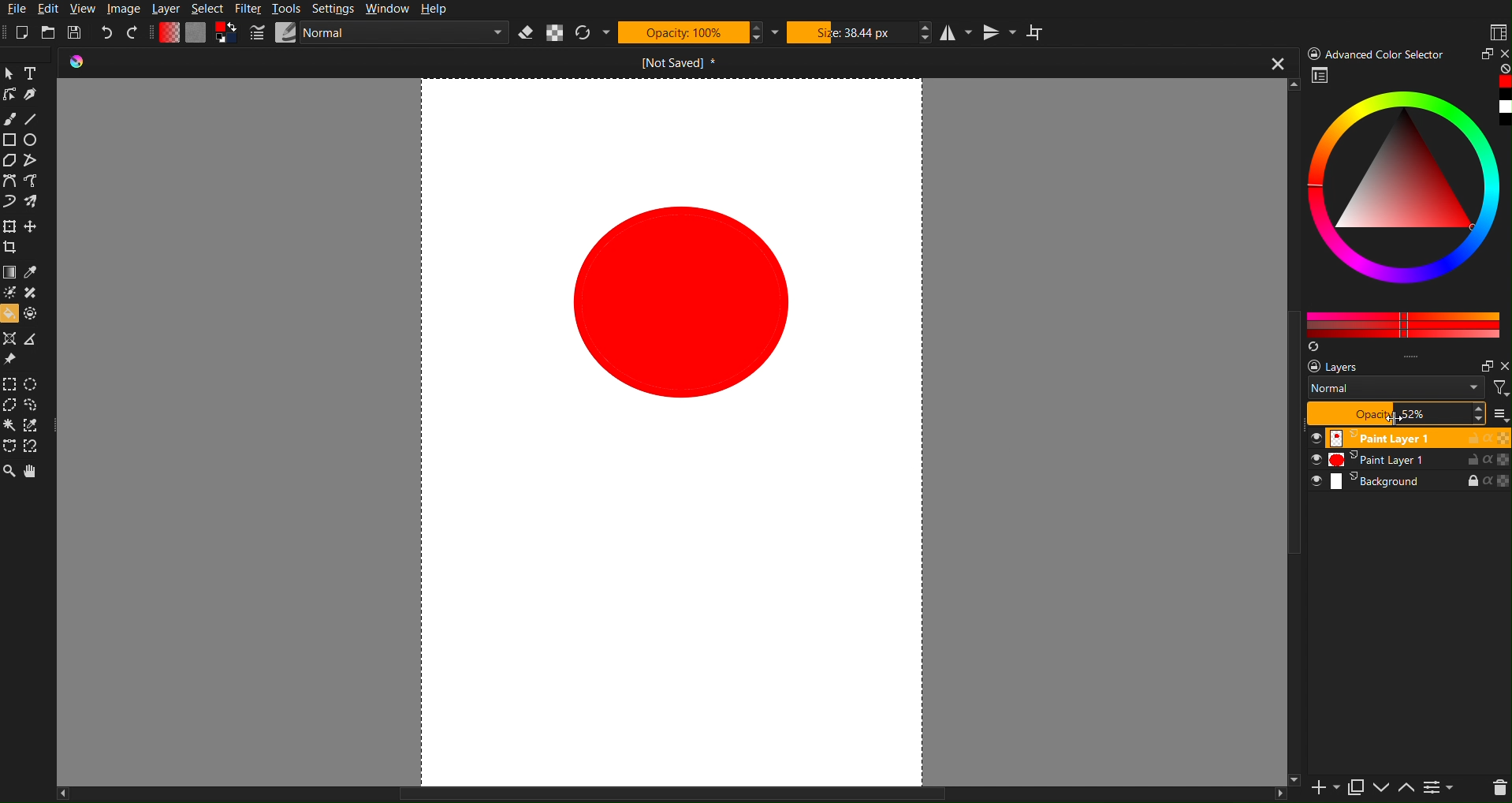 This screenshot has width=1512, height=803. What do you see at coordinates (257, 33) in the screenshot?
I see `Pencil` at bounding box center [257, 33].